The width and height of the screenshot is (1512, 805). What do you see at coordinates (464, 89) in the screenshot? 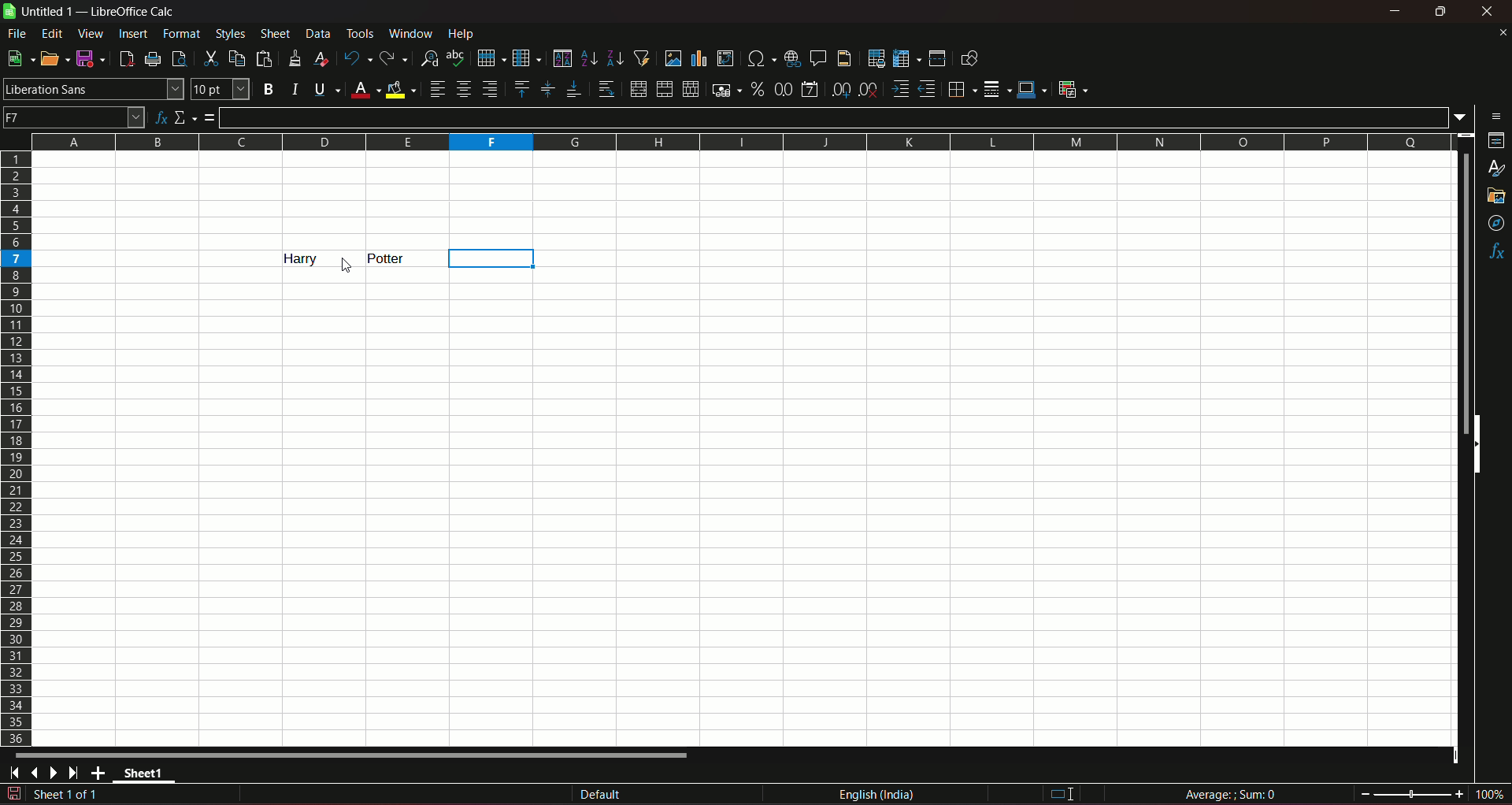
I see `align center` at bounding box center [464, 89].